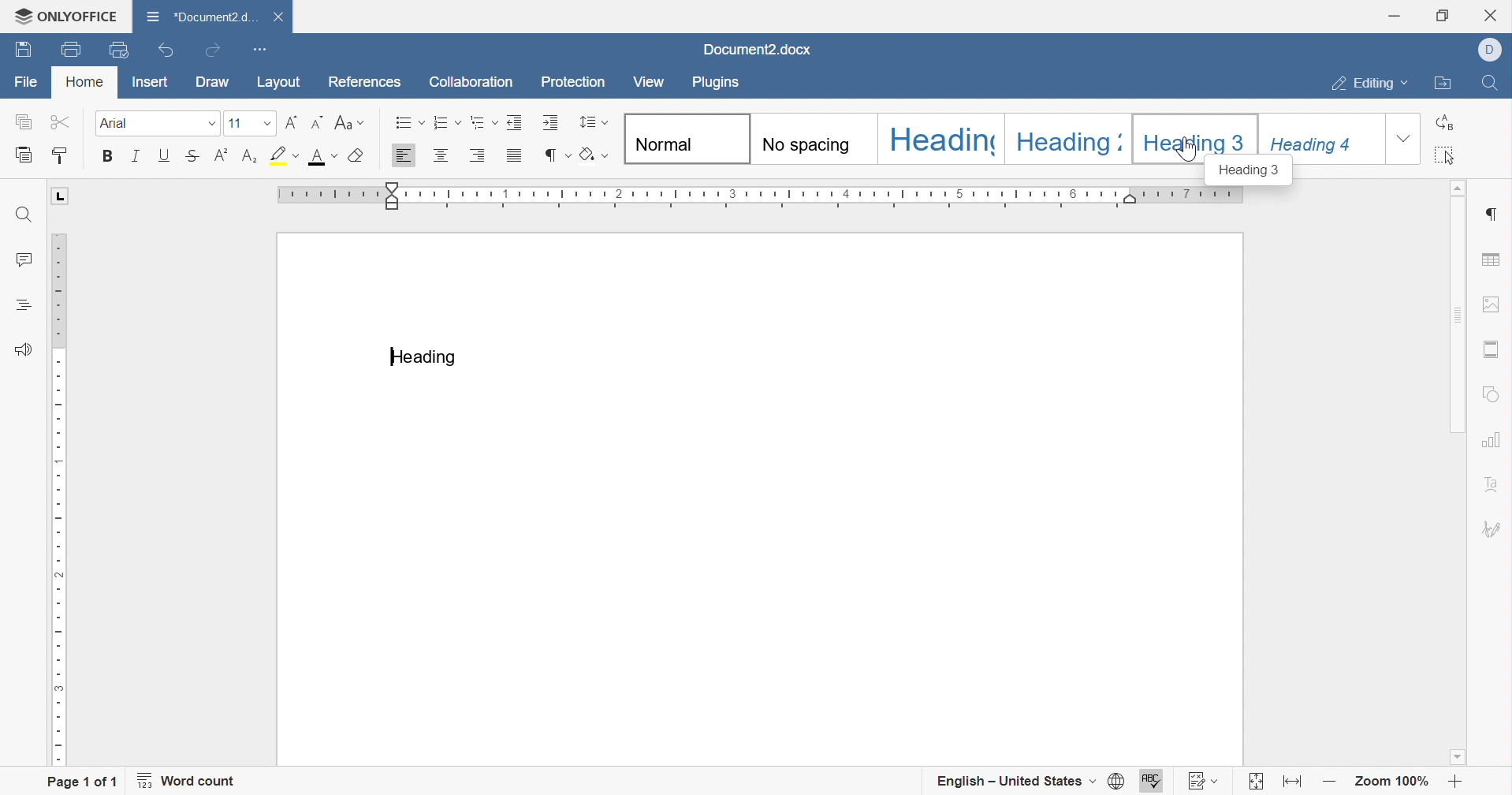 This screenshot has height=795, width=1512. What do you see at coordinates (1495, 348) in the screenshot?
I see `Header and footer settings` at bounding box center [1495, 348].